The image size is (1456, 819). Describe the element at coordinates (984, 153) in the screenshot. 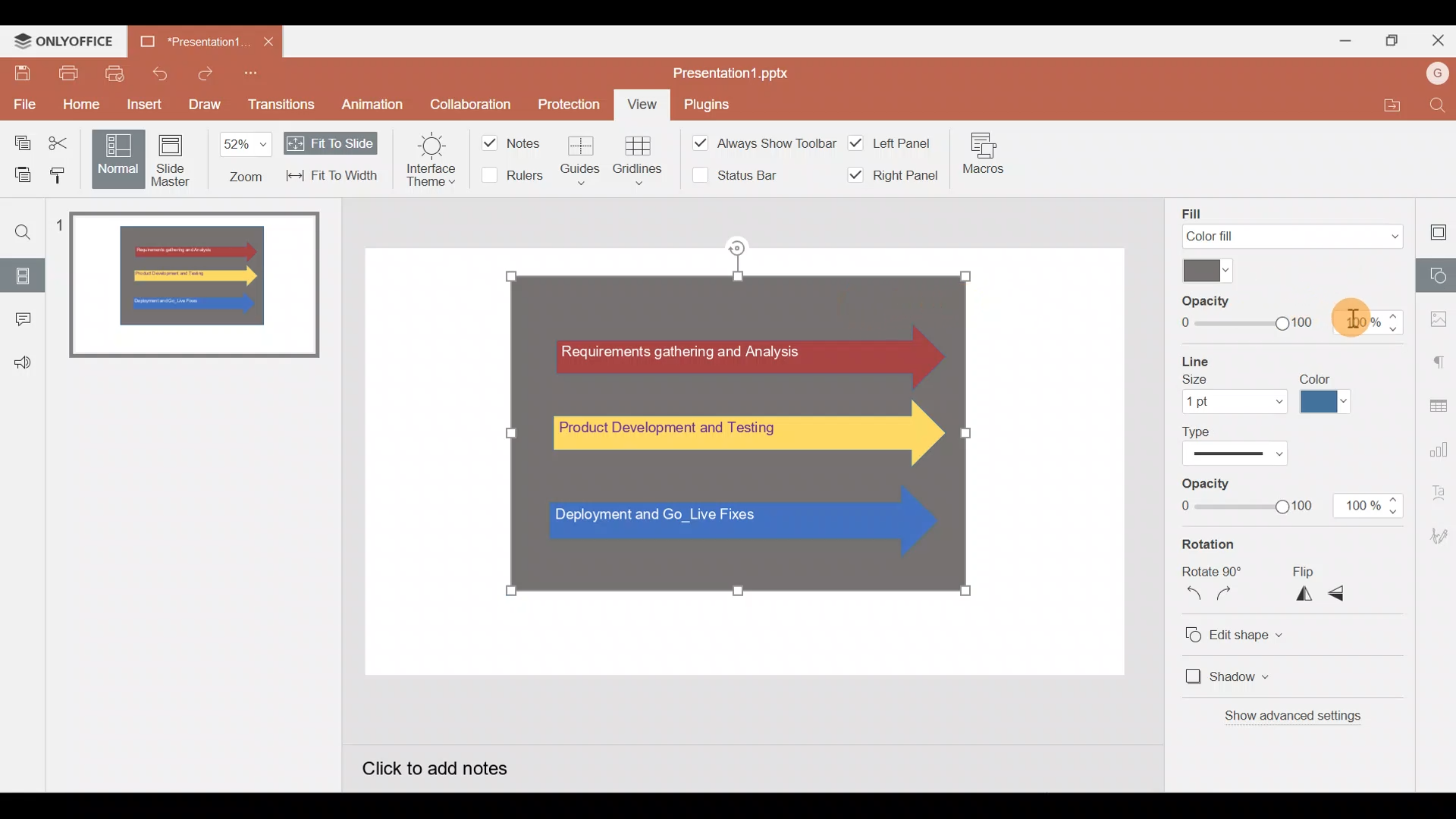

I see `Macros` at that location.